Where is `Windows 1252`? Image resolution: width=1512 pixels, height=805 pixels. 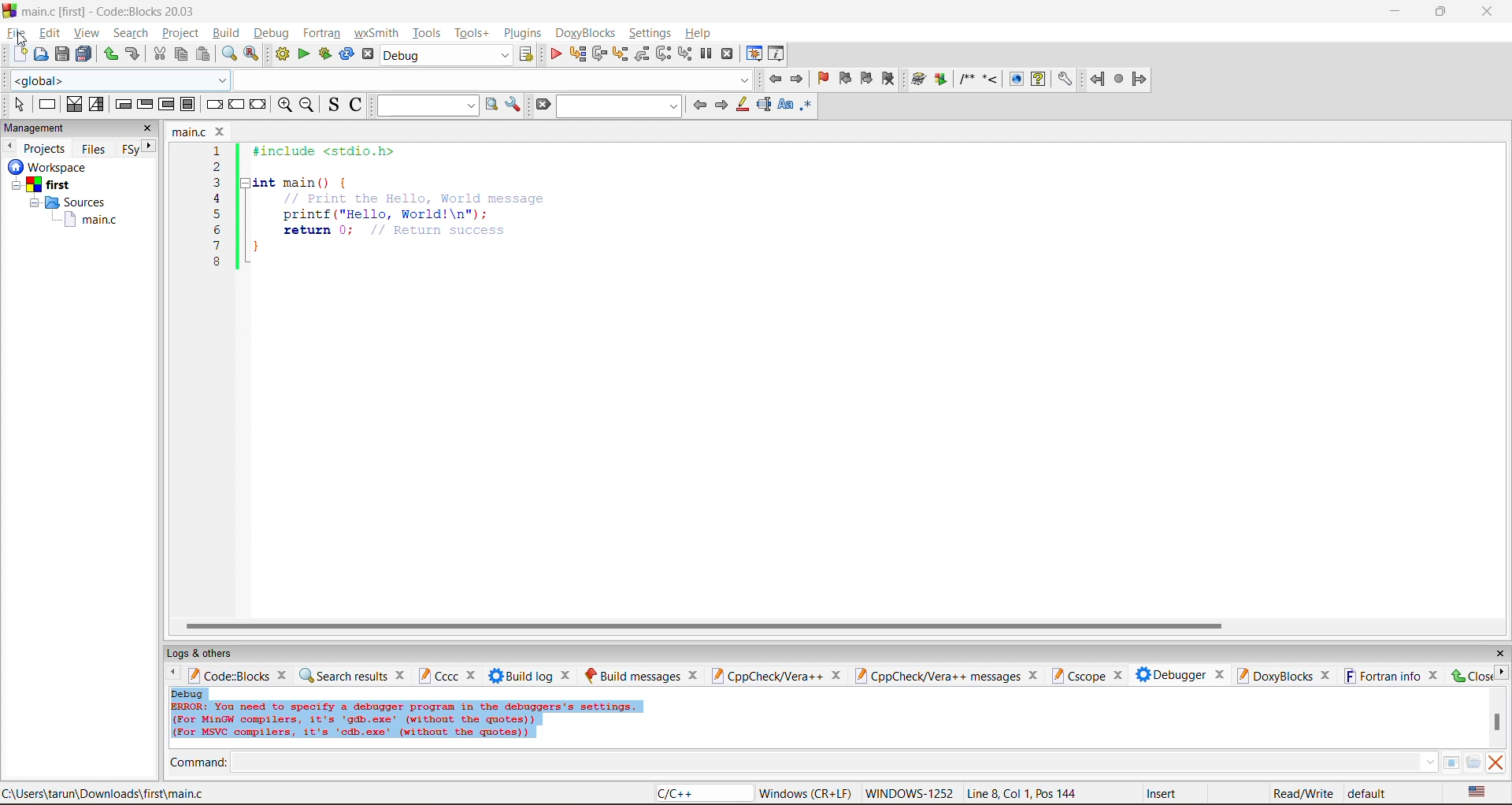 Windows 1252 is located at coordinates (910, 794).